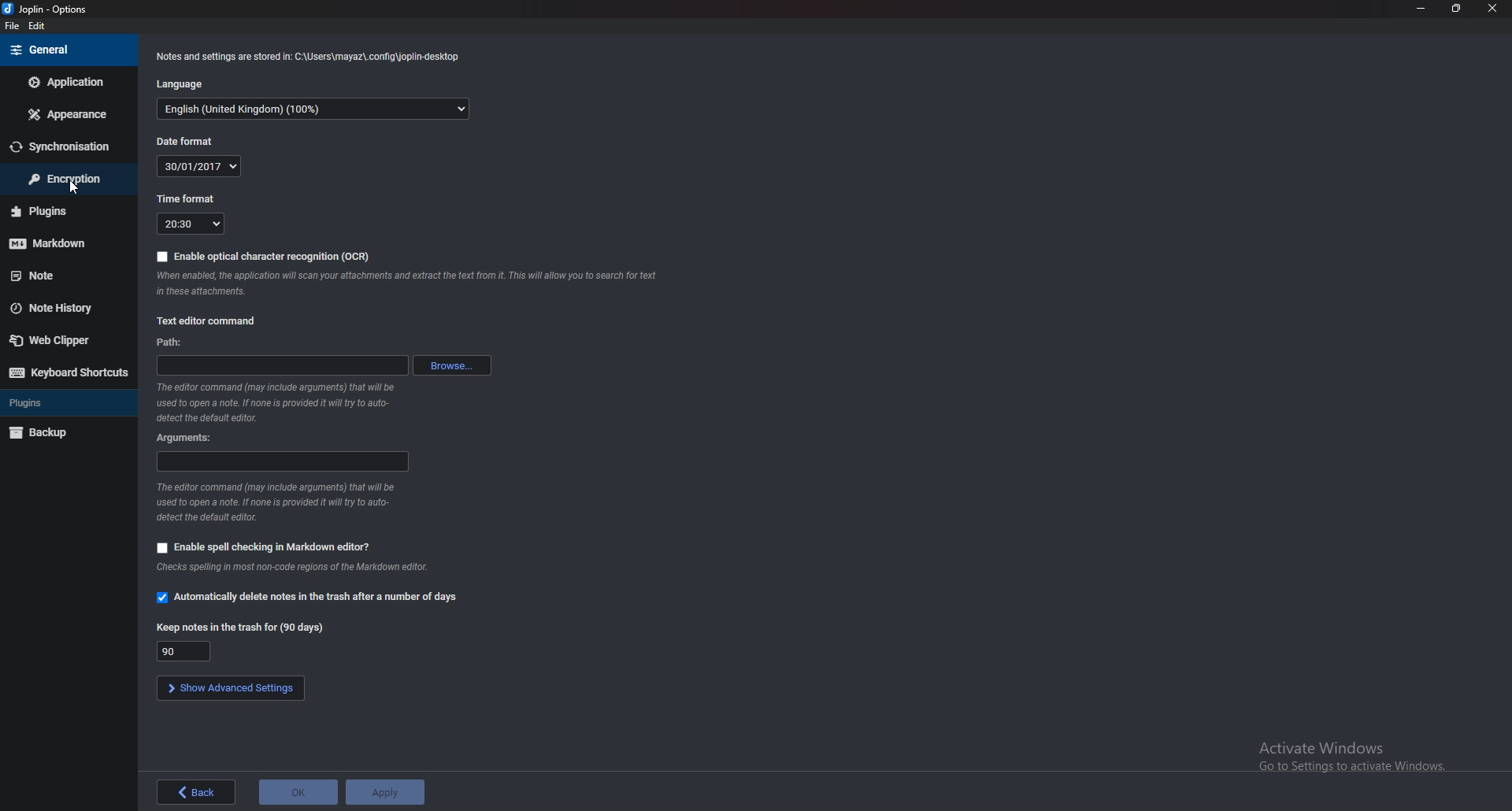  Describe the element at coordinates (313, 109) in the screenshot. I see `language` at that location.